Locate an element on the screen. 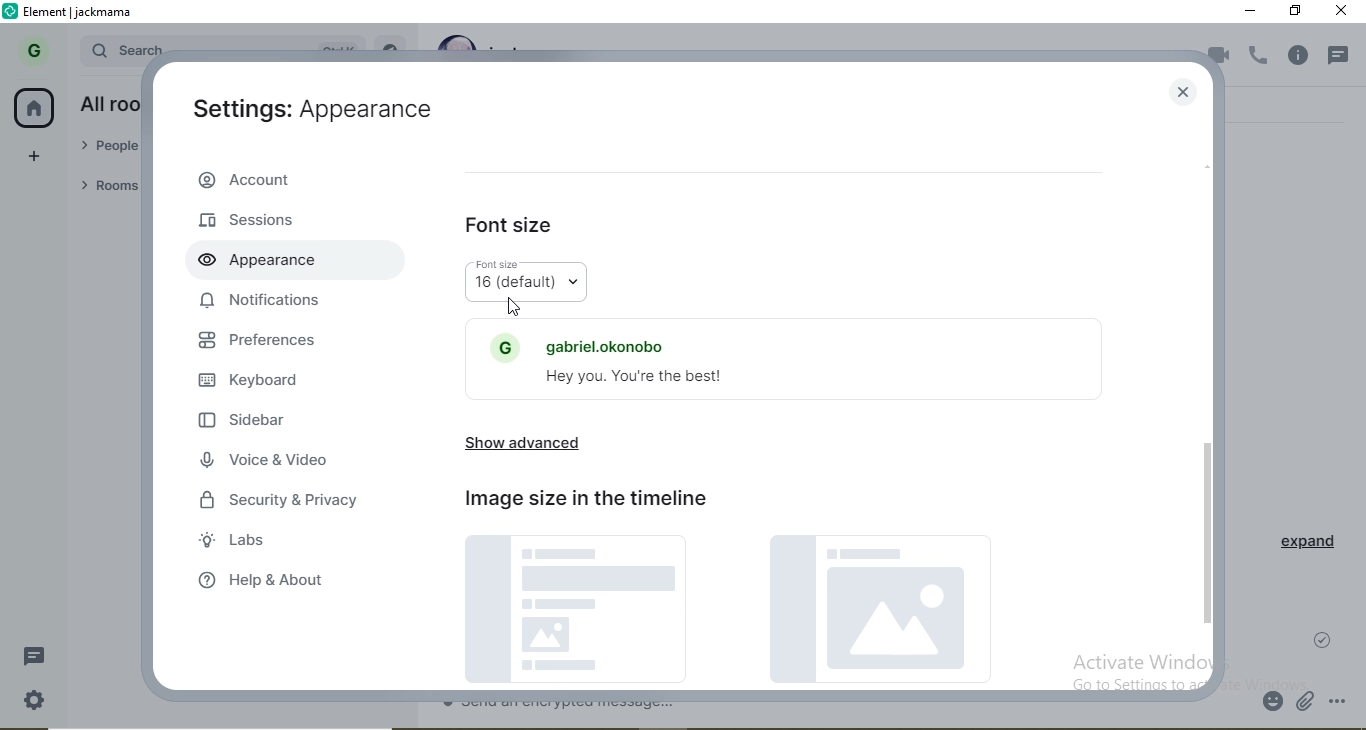  go to settings is located at coordinates (1124, 684).